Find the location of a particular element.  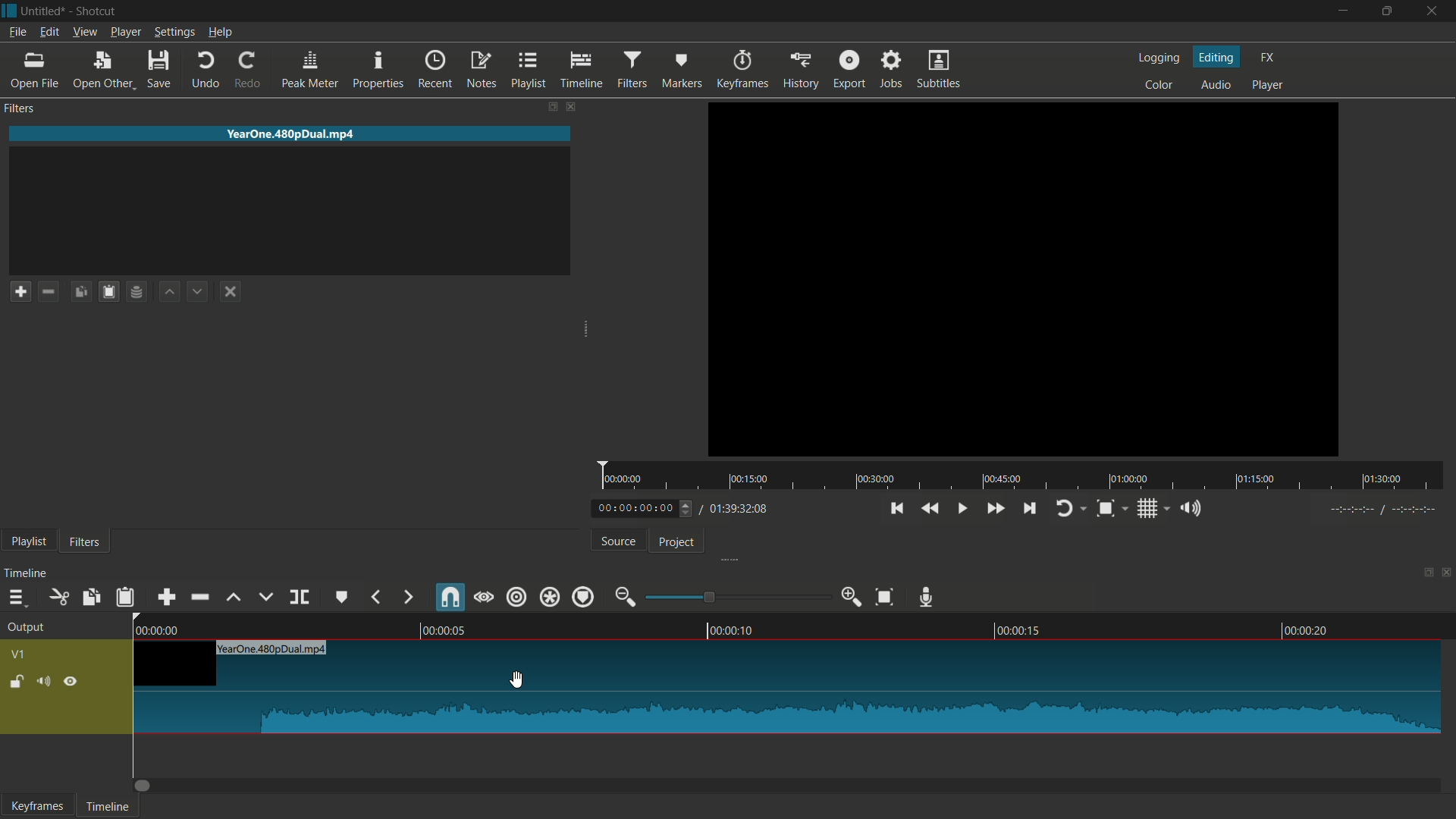

maximize is located at coordinates (1387, 11).